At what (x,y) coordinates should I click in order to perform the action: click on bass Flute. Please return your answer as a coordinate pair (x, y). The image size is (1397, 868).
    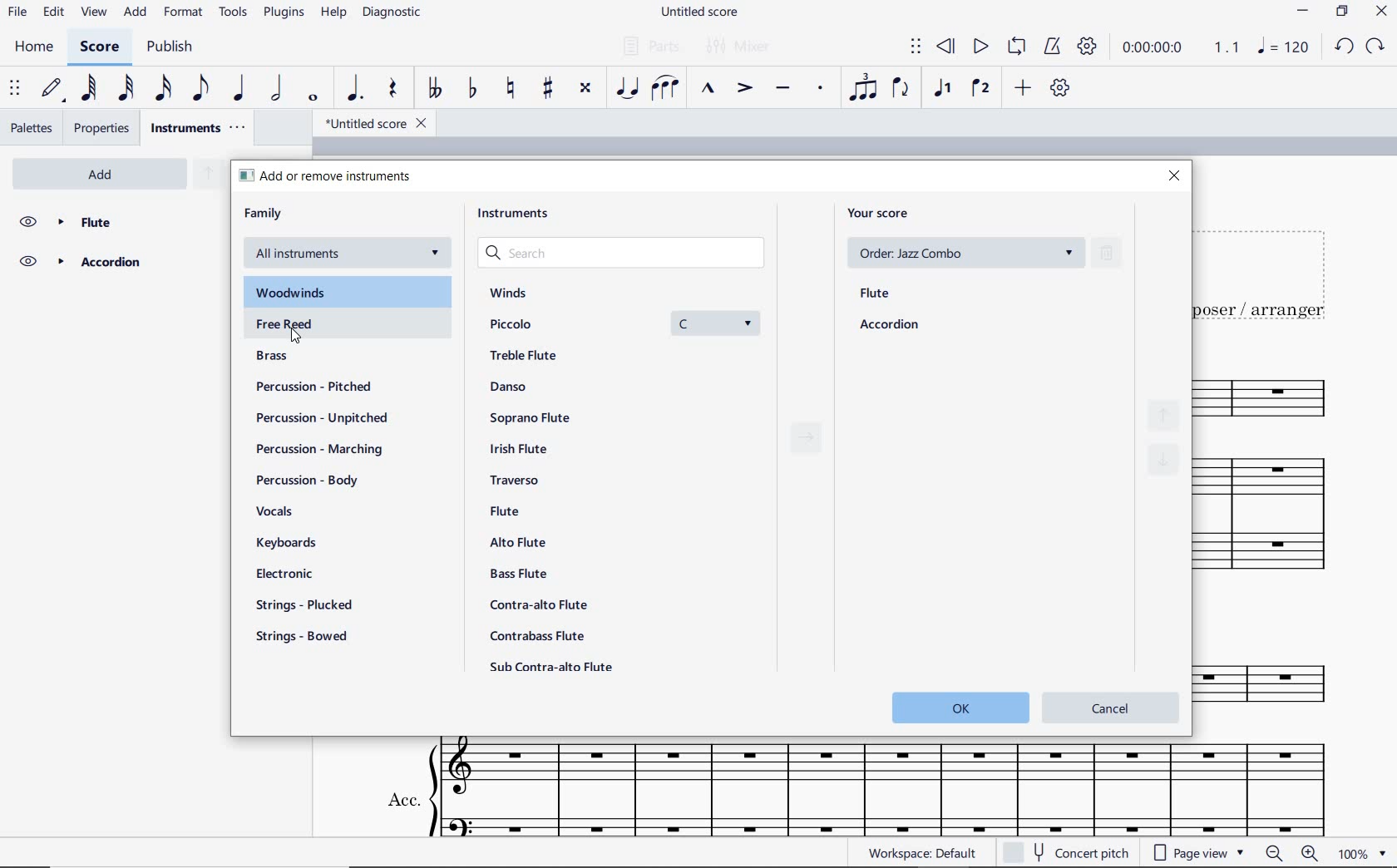
    Looking at the image, I should click on (517, 575).